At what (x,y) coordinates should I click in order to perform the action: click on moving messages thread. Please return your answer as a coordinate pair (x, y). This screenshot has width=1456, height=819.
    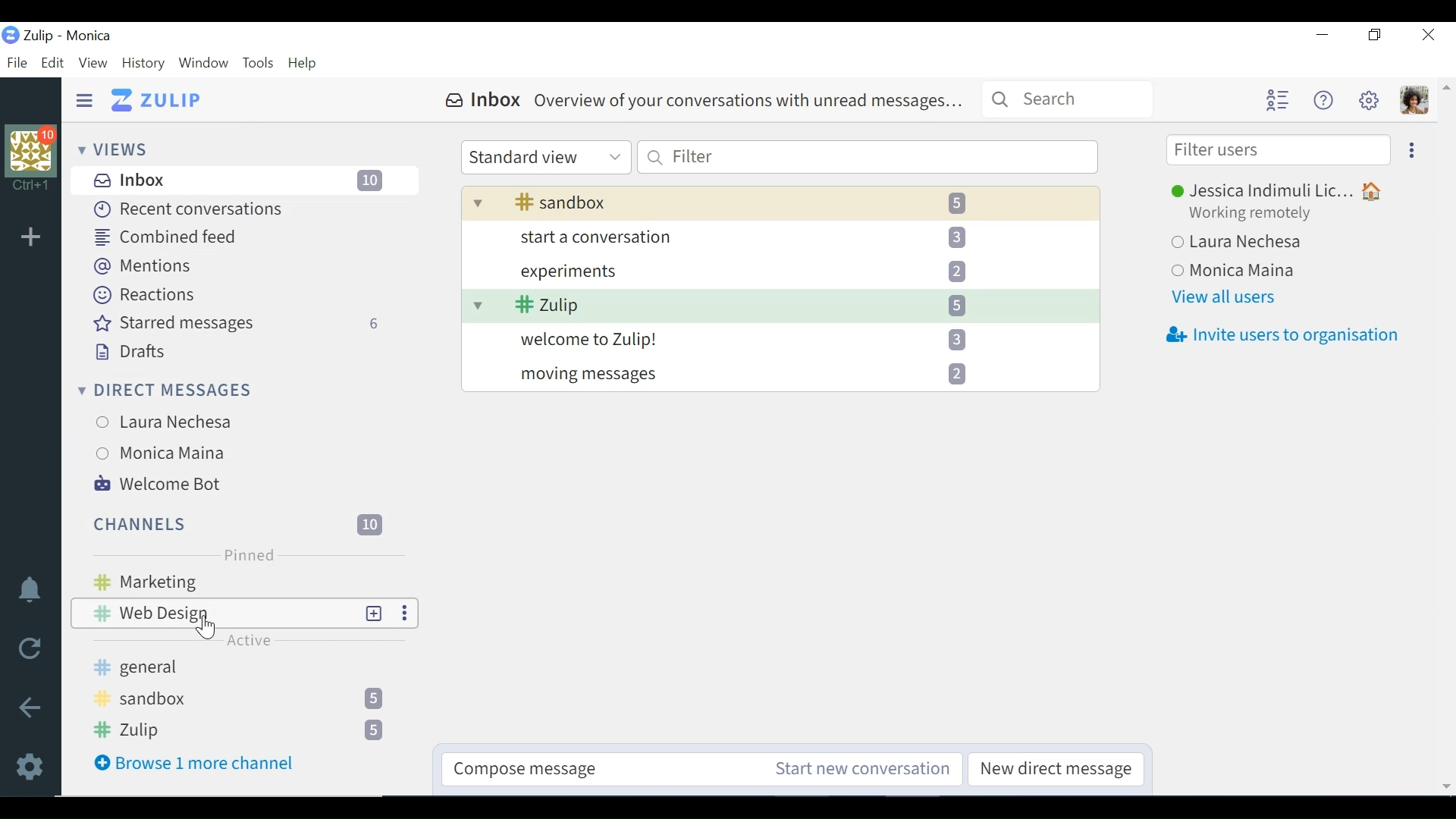
    Looking at the image, I should click on (770, 372).